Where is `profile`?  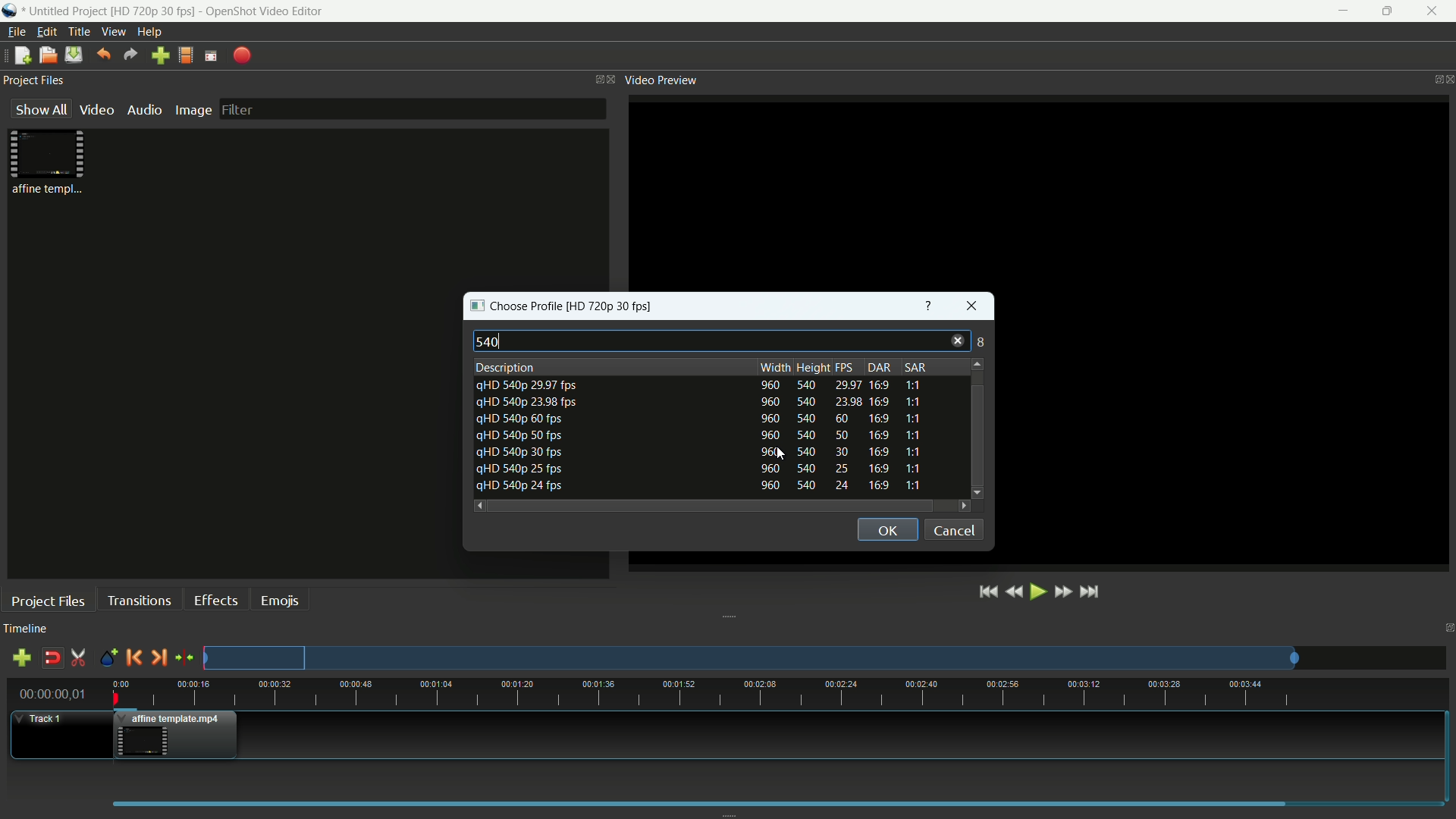
profile is located at coordinates (152, 11).